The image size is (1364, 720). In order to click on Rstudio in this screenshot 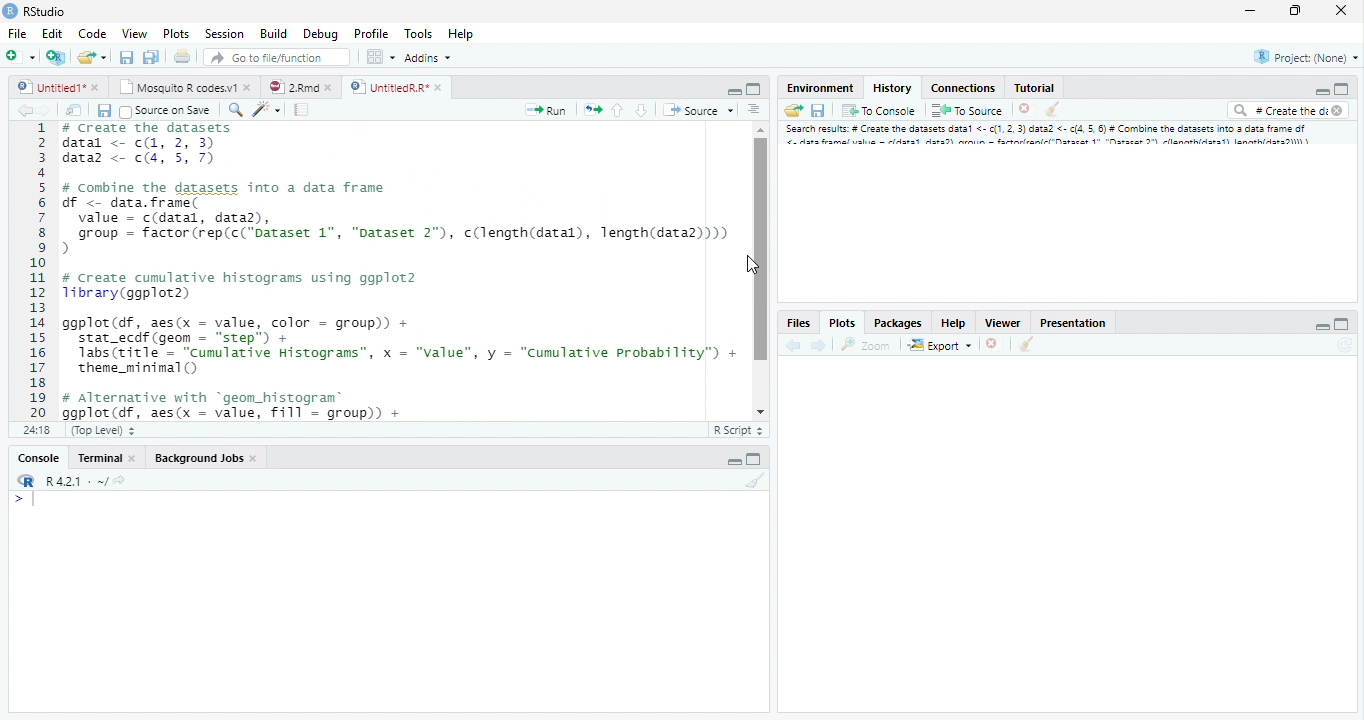, I will do `click(34, 10)`.